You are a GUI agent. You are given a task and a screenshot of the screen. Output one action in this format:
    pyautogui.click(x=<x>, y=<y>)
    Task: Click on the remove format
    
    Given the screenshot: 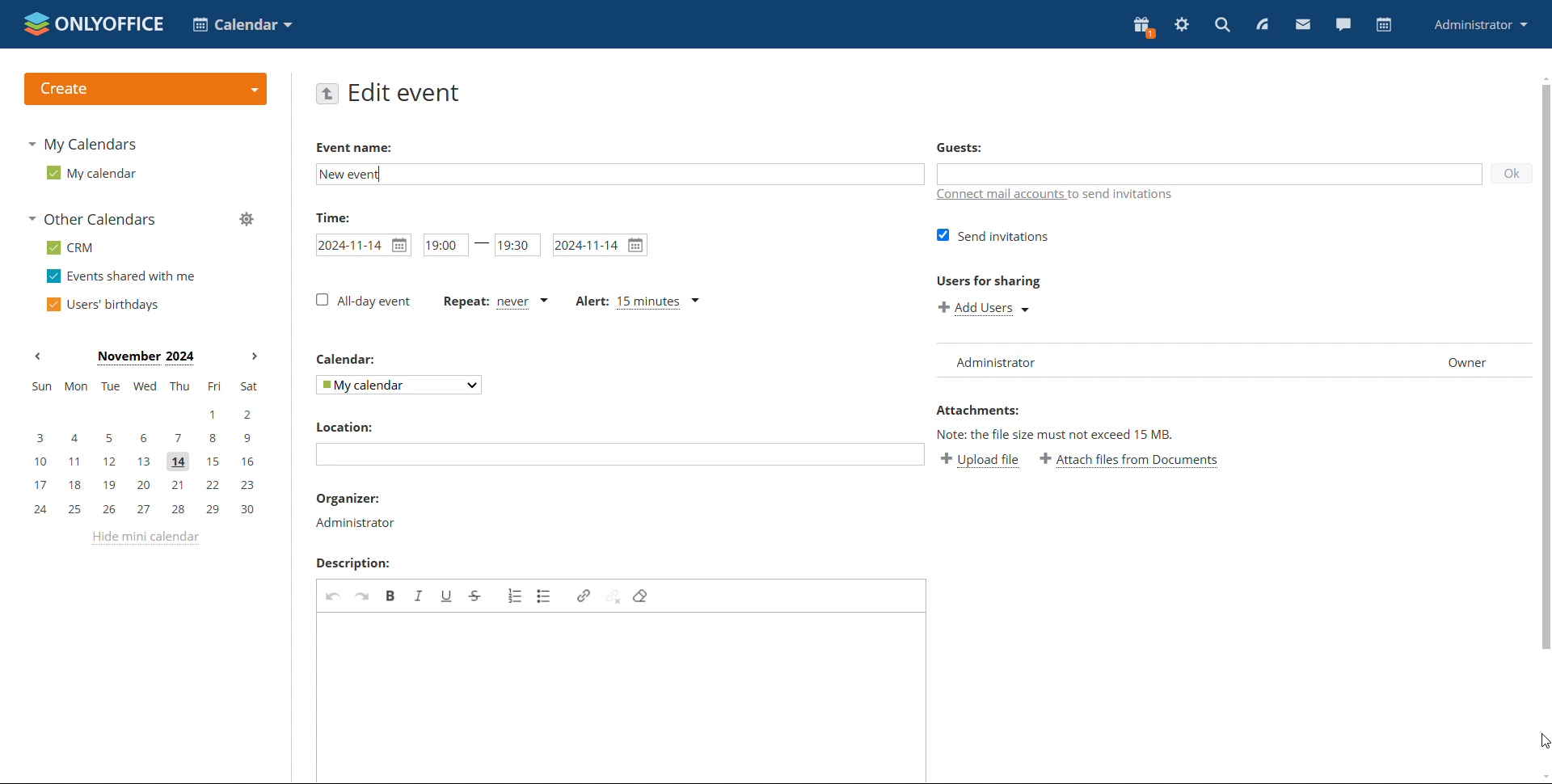 What is the action you would take?
    pyautogui.click(x=643, y=596)
    